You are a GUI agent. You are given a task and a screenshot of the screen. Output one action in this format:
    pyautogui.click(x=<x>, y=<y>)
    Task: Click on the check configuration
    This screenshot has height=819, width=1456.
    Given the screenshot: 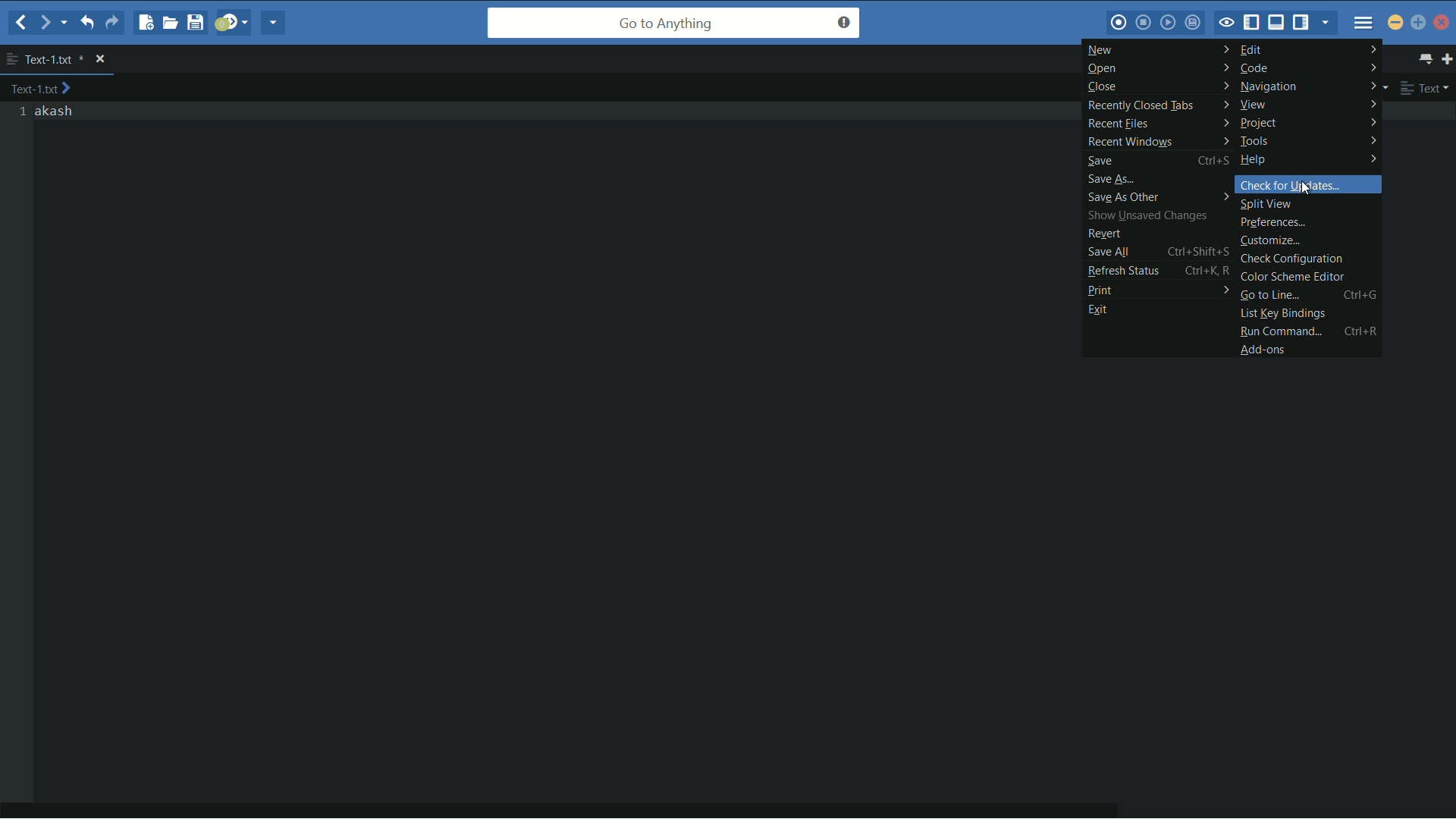 What is the action you would take?
    pyautogui.click(x=1308, y=259)
    